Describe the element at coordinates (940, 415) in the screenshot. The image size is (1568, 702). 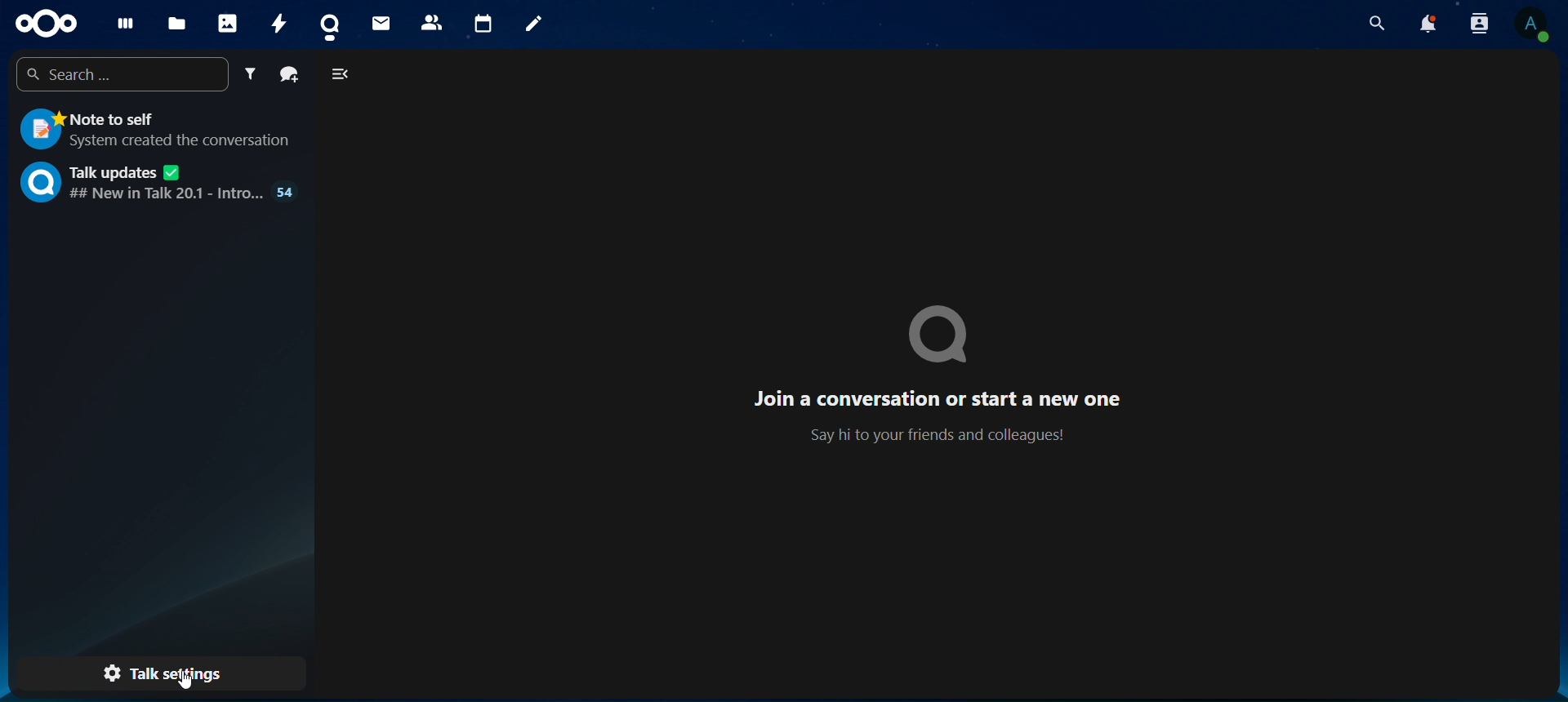
I see `text` at that location.